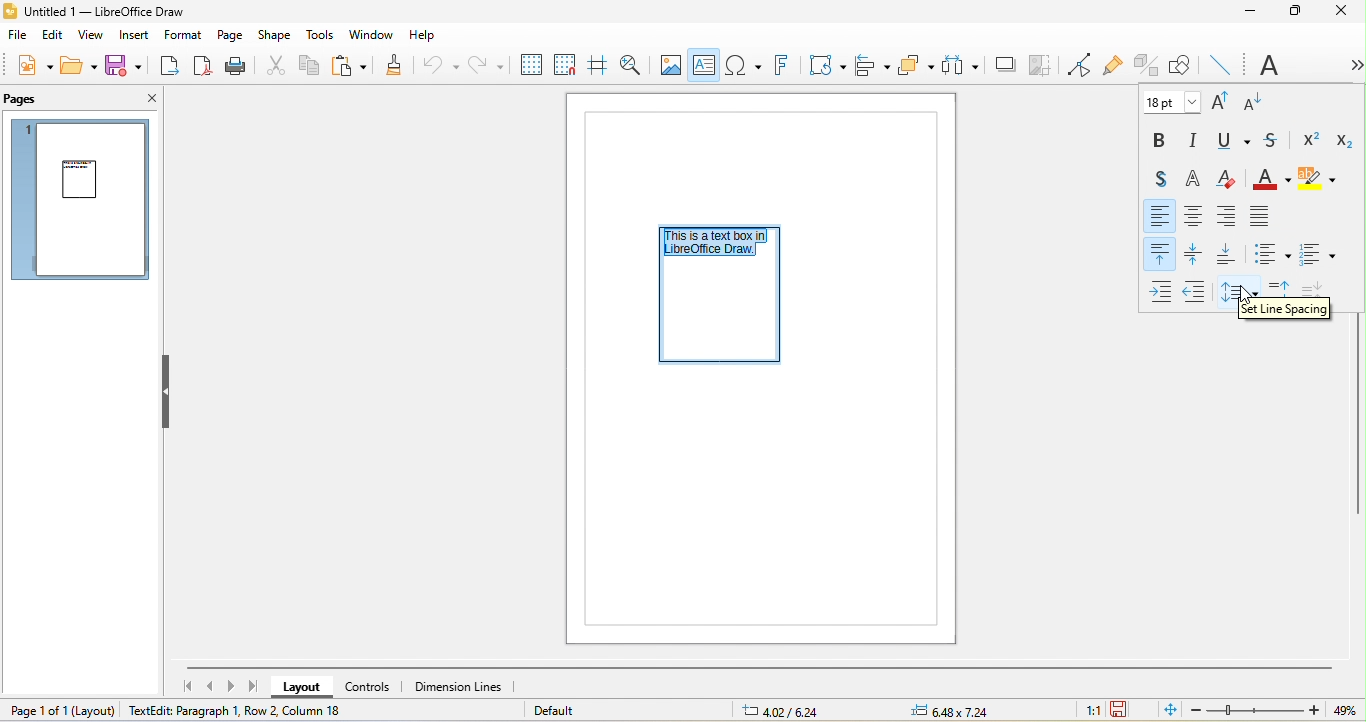 This screenshot has height=722, width=1366. Describe the element at coordinates (1256, 102) in the screenshot. I see `decrease font size` at that location.